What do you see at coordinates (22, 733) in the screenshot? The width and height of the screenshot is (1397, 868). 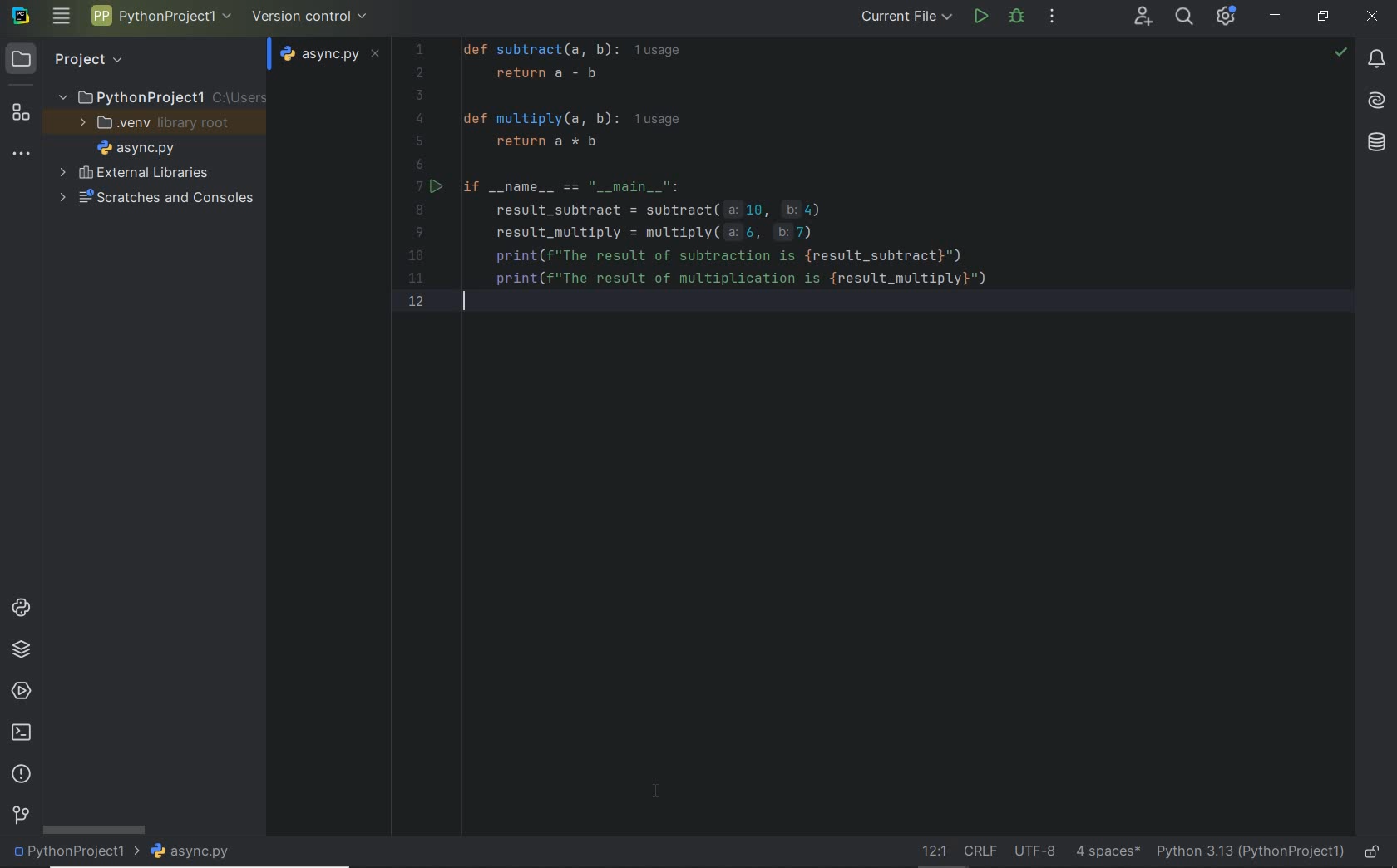 I see `terminal` at bounding box center [22, 733].